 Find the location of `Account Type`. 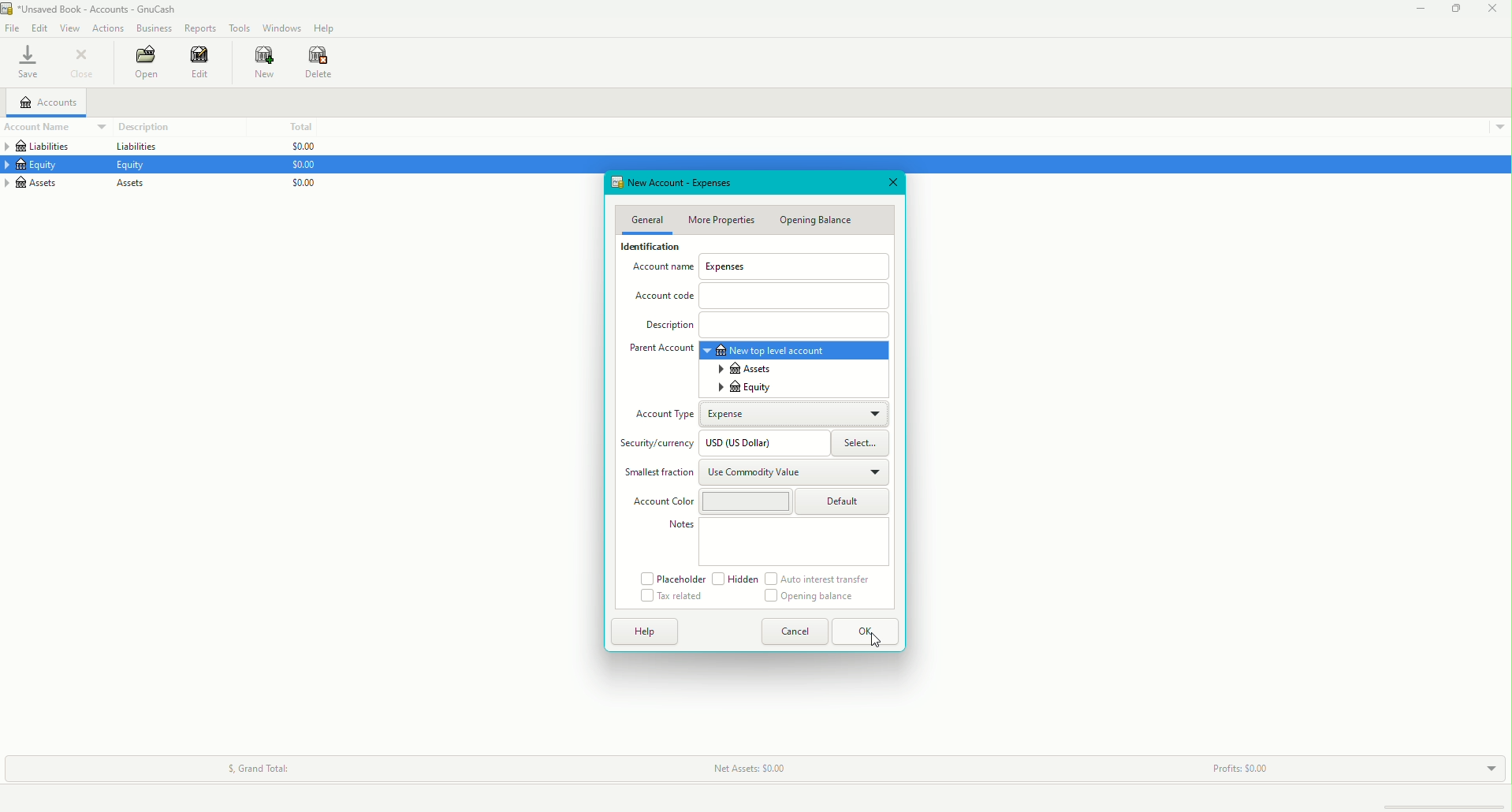

Account Type is located at coordinates (663, 413).